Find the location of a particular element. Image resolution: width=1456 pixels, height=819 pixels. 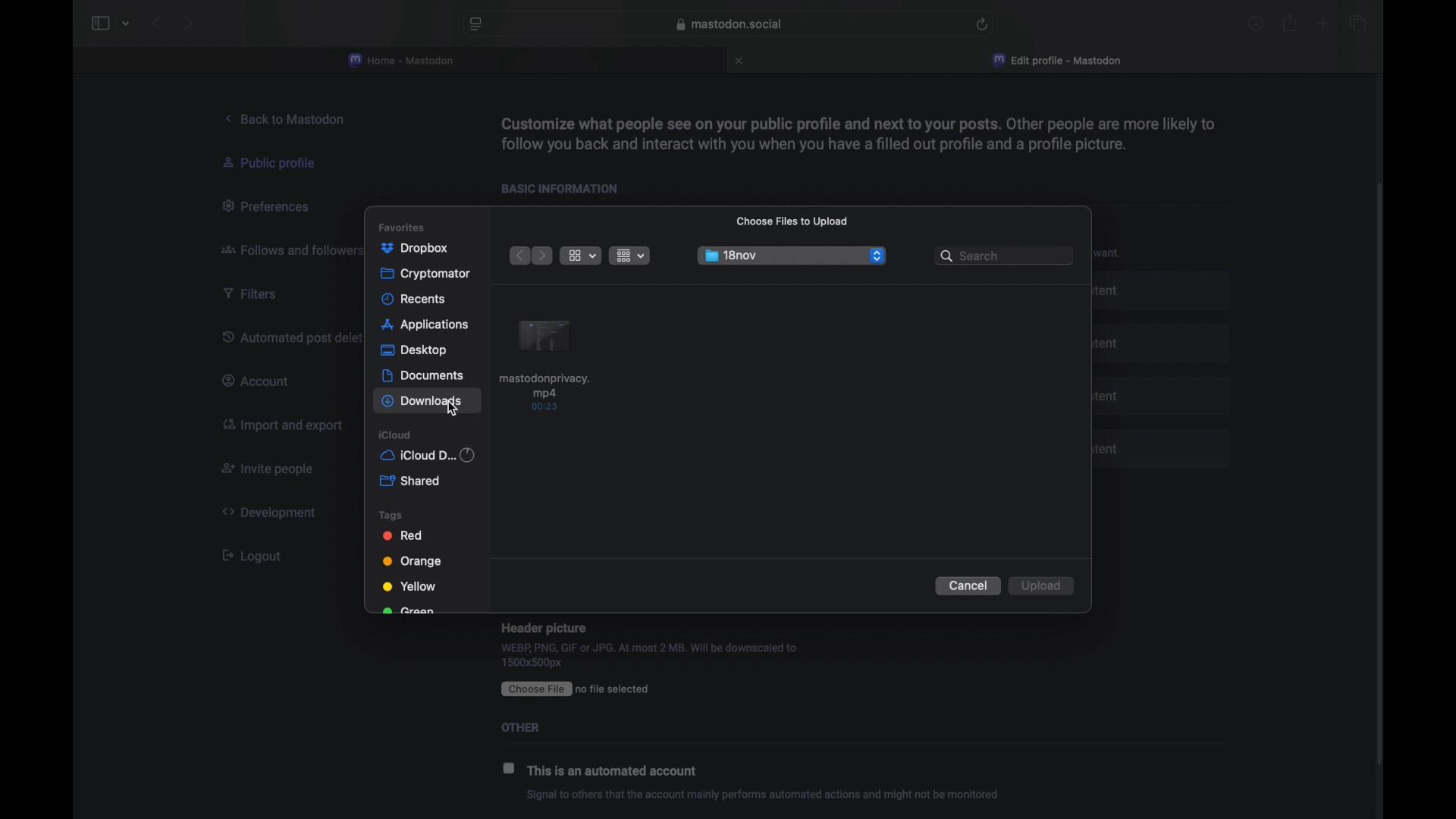

downloads highlighted is located at coordinates (428, 400).